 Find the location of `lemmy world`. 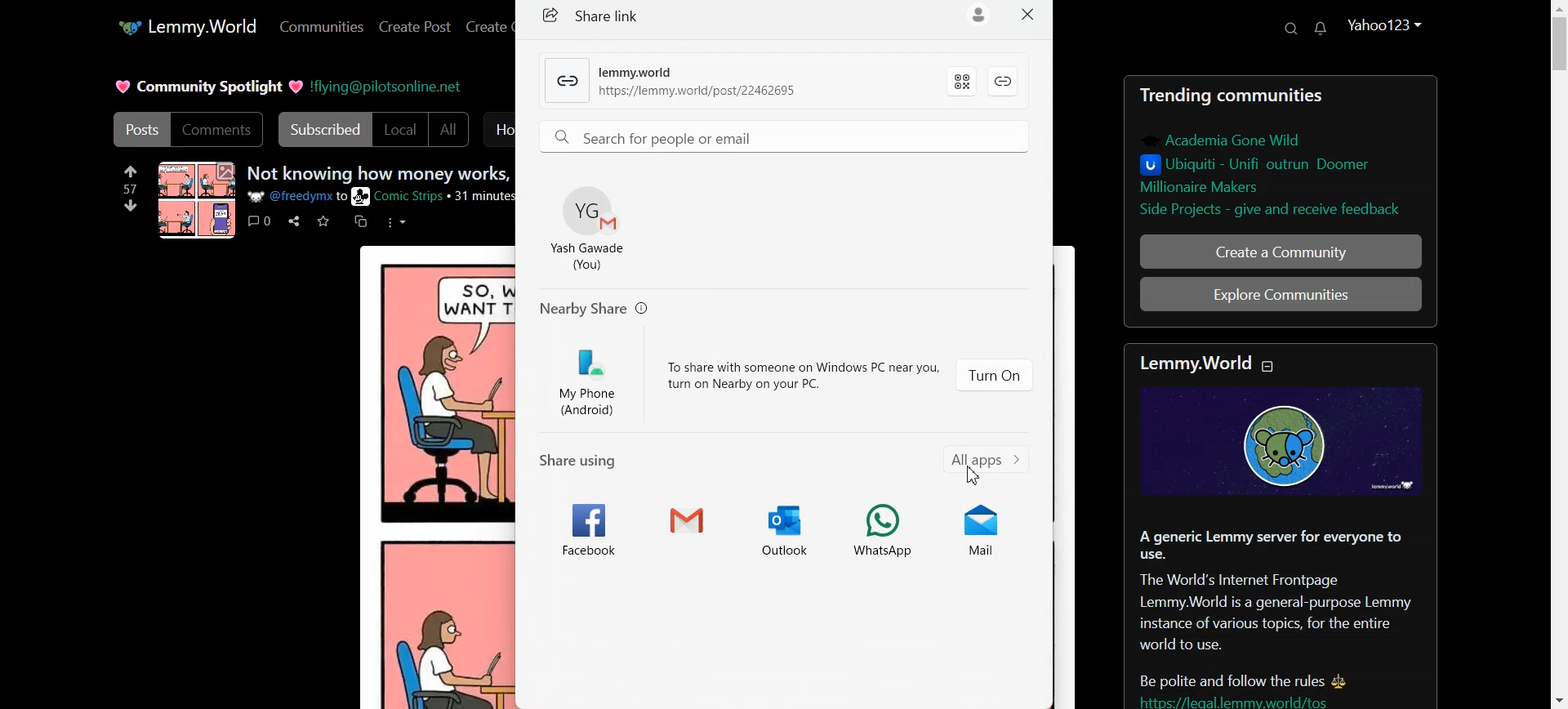

lemmy world is located at coordinates (1193, 363).